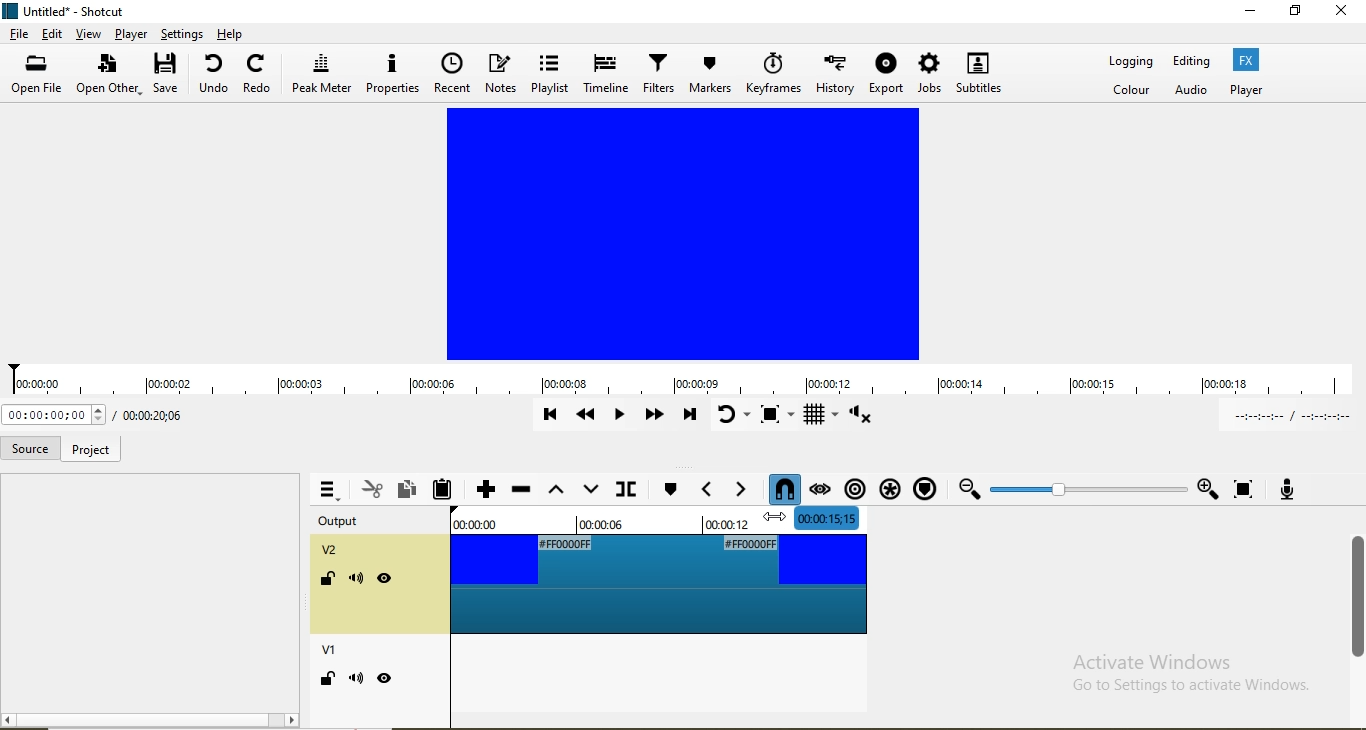  Describe the element at coordinates (40, 76) in the screenshot. I see `open file` at that location.